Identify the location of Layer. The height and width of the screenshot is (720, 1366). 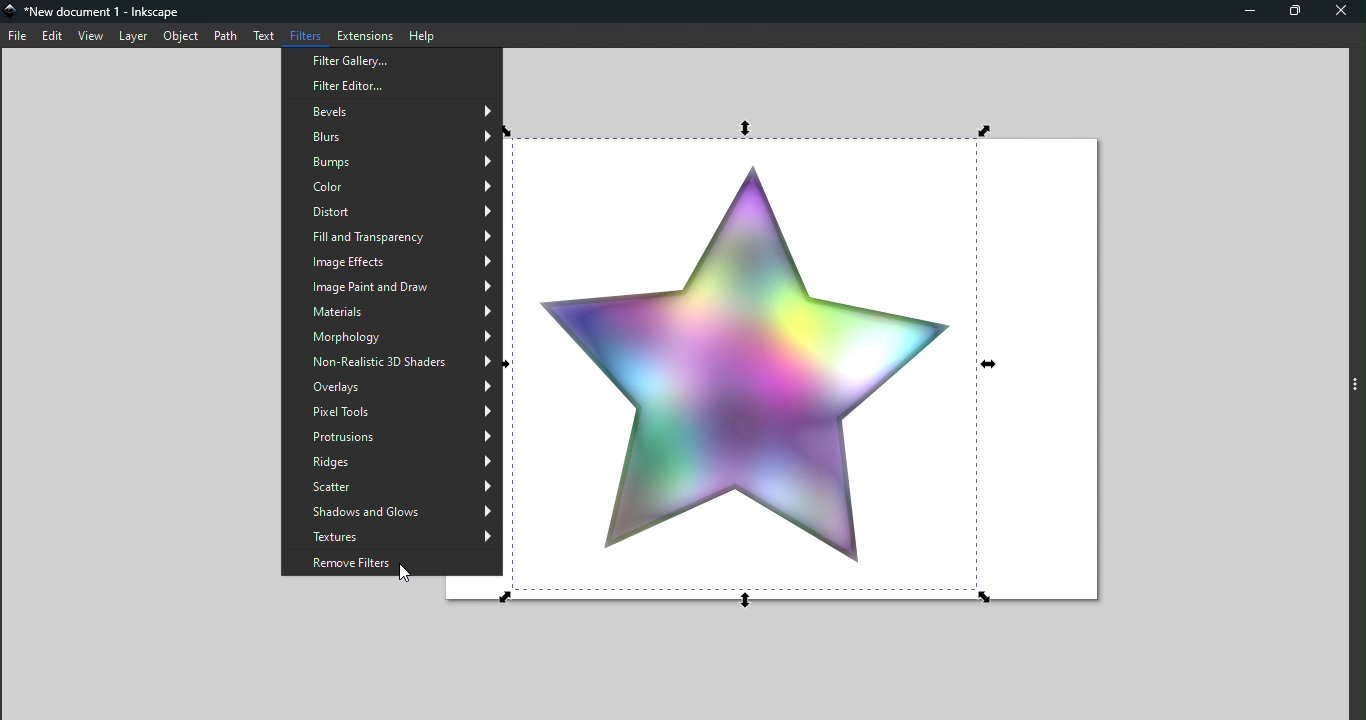
(134, 36).